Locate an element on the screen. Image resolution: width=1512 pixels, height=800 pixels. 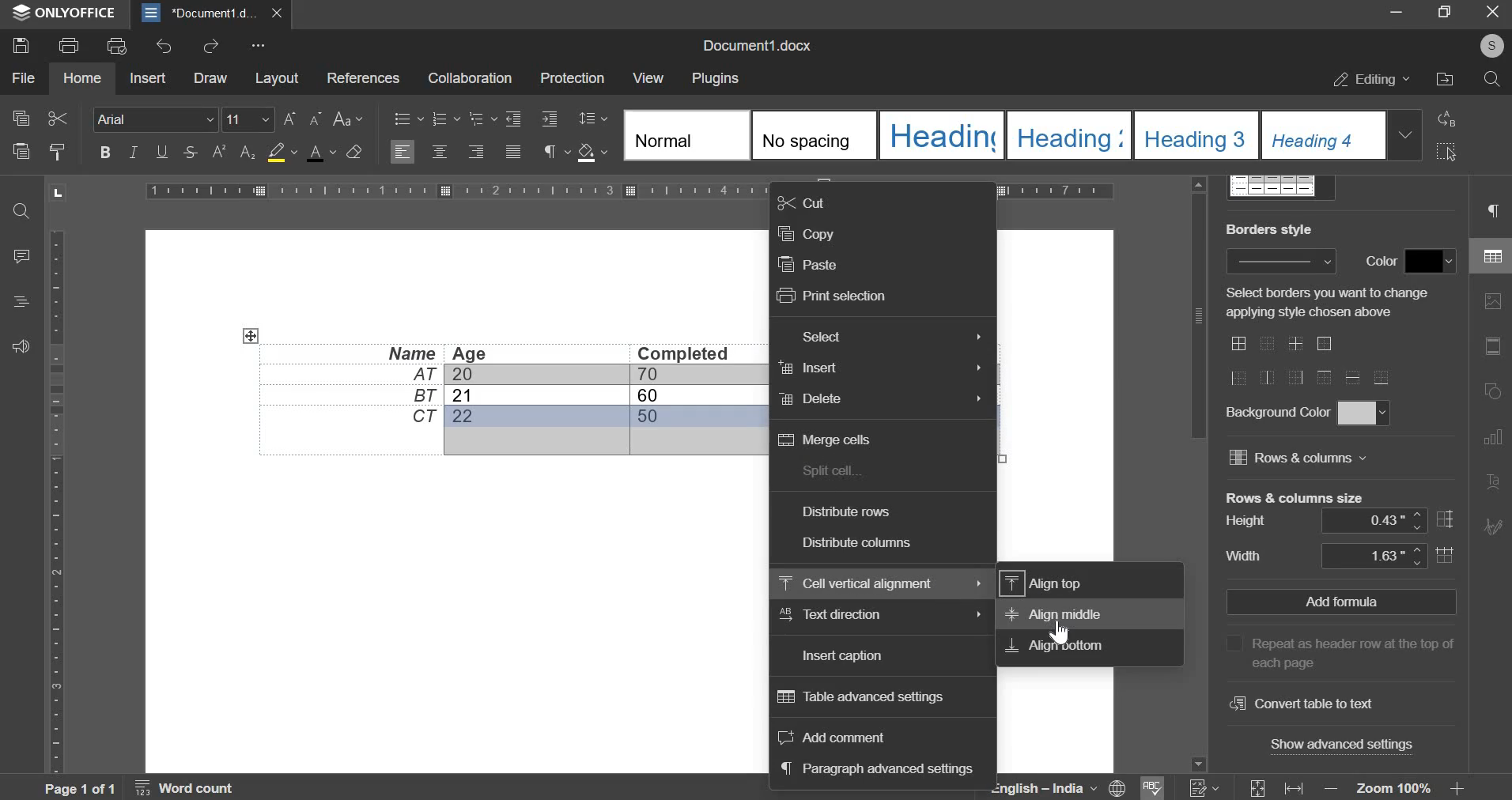
insert caption is located at coordinates (843, 658).